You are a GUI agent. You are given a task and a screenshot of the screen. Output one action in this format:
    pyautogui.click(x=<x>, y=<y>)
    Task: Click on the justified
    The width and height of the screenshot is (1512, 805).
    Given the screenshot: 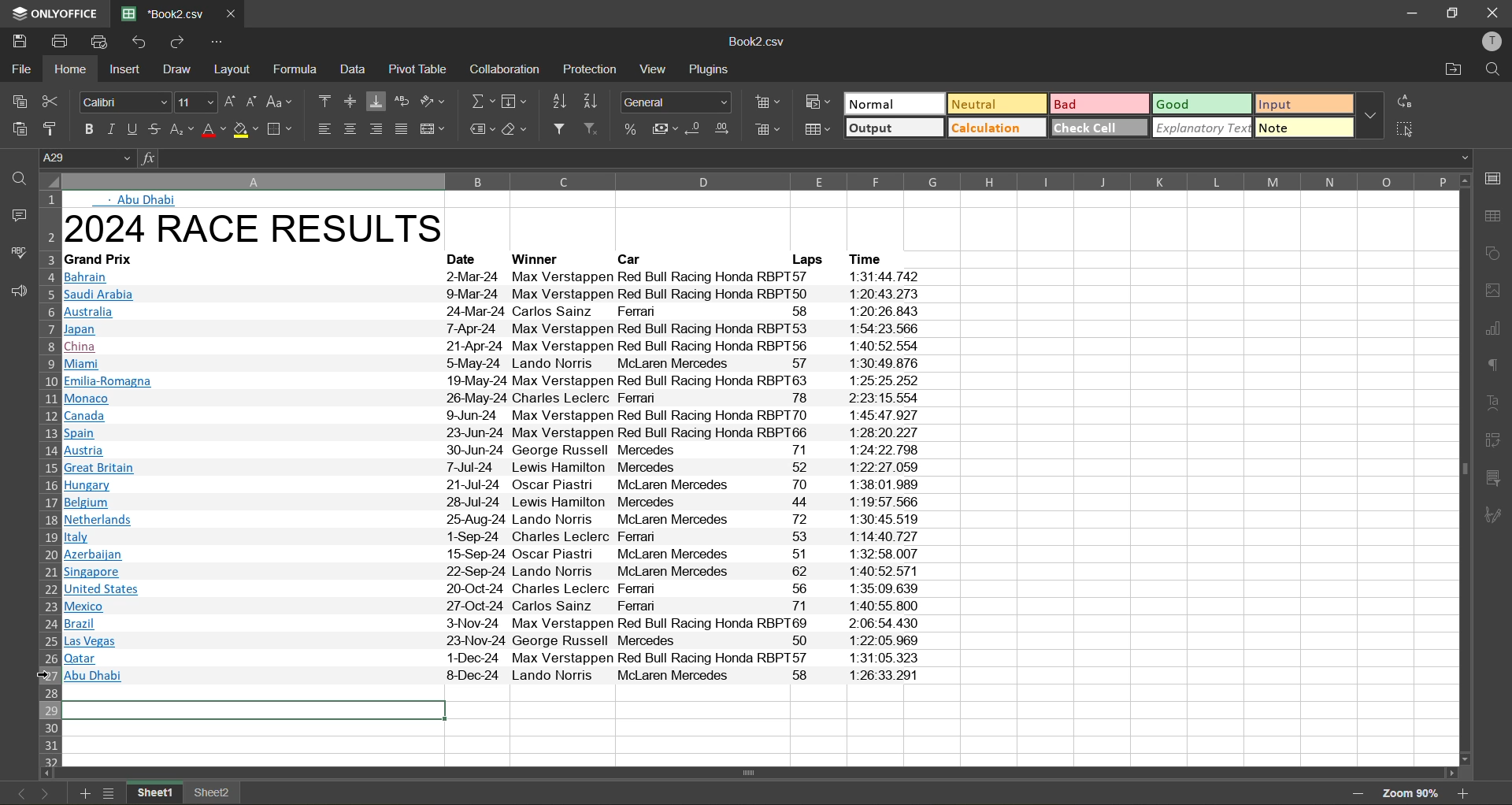 What is the action you would take?
    pyautogui.click(x=405, y=131)
    